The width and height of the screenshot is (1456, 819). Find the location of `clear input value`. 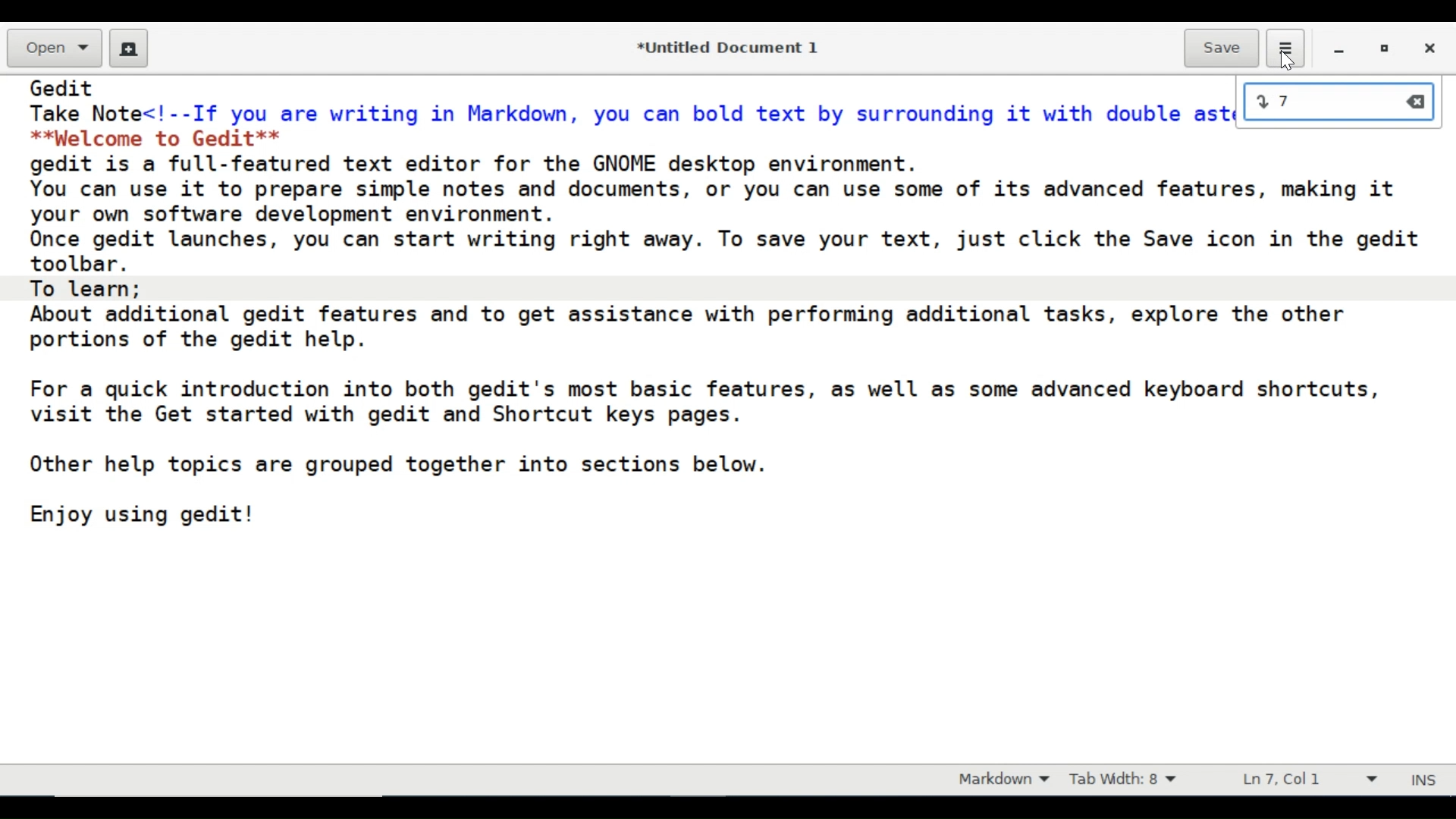

clear input value is located at coordinates (1418, 102).